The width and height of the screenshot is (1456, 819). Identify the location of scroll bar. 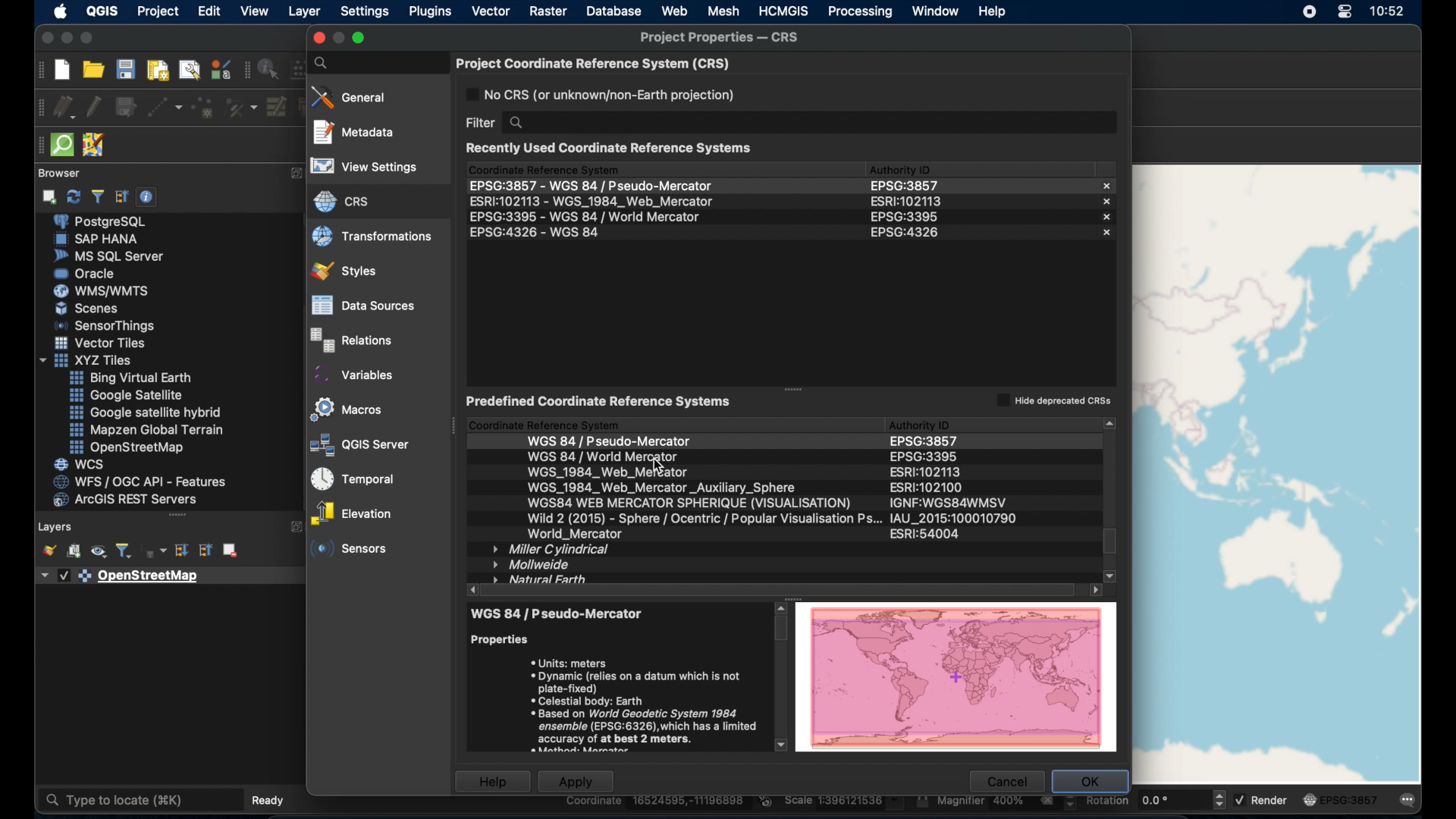
(786, 591).